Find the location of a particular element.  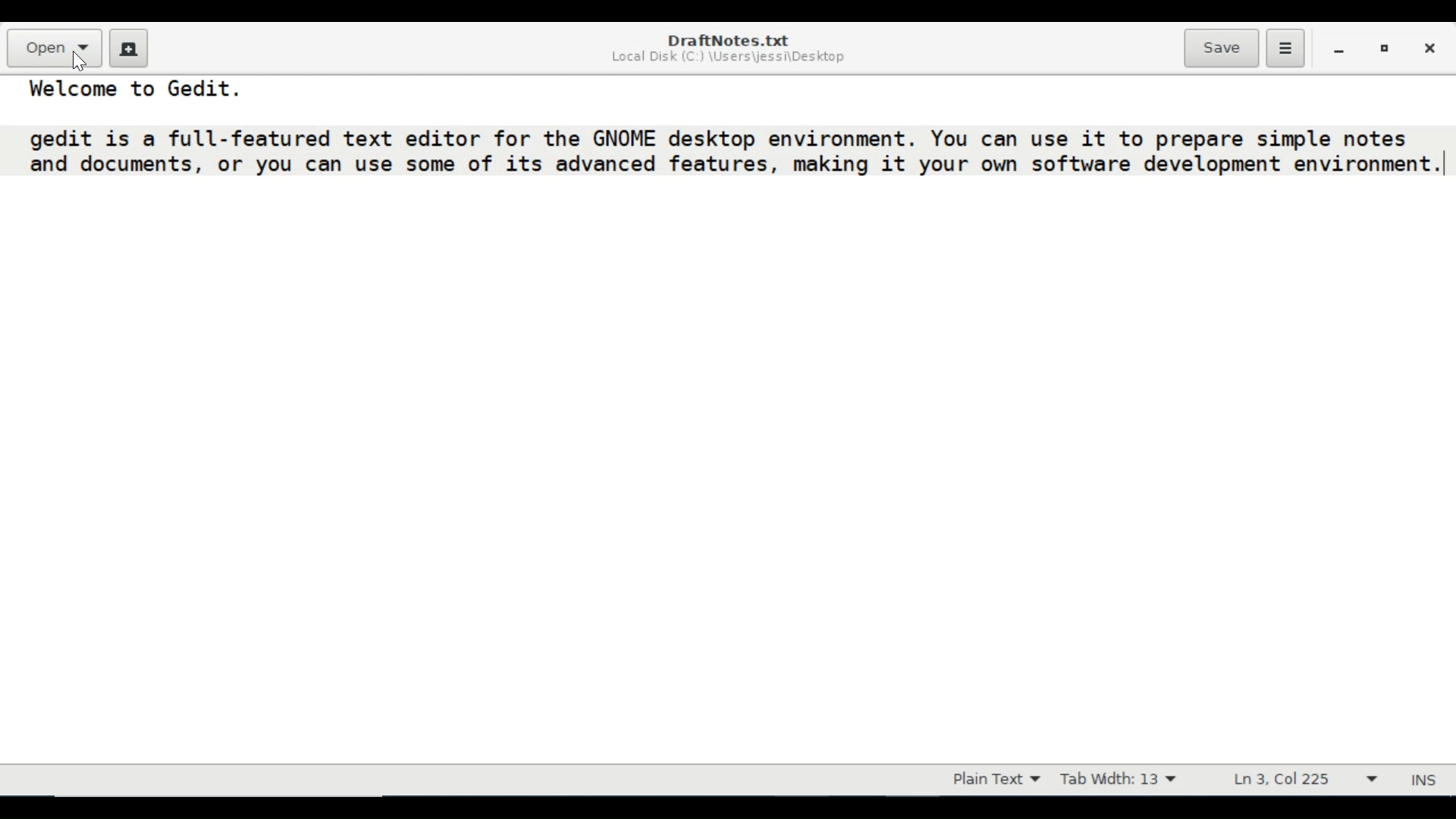

Document Name is located at coordinates (726, 40).